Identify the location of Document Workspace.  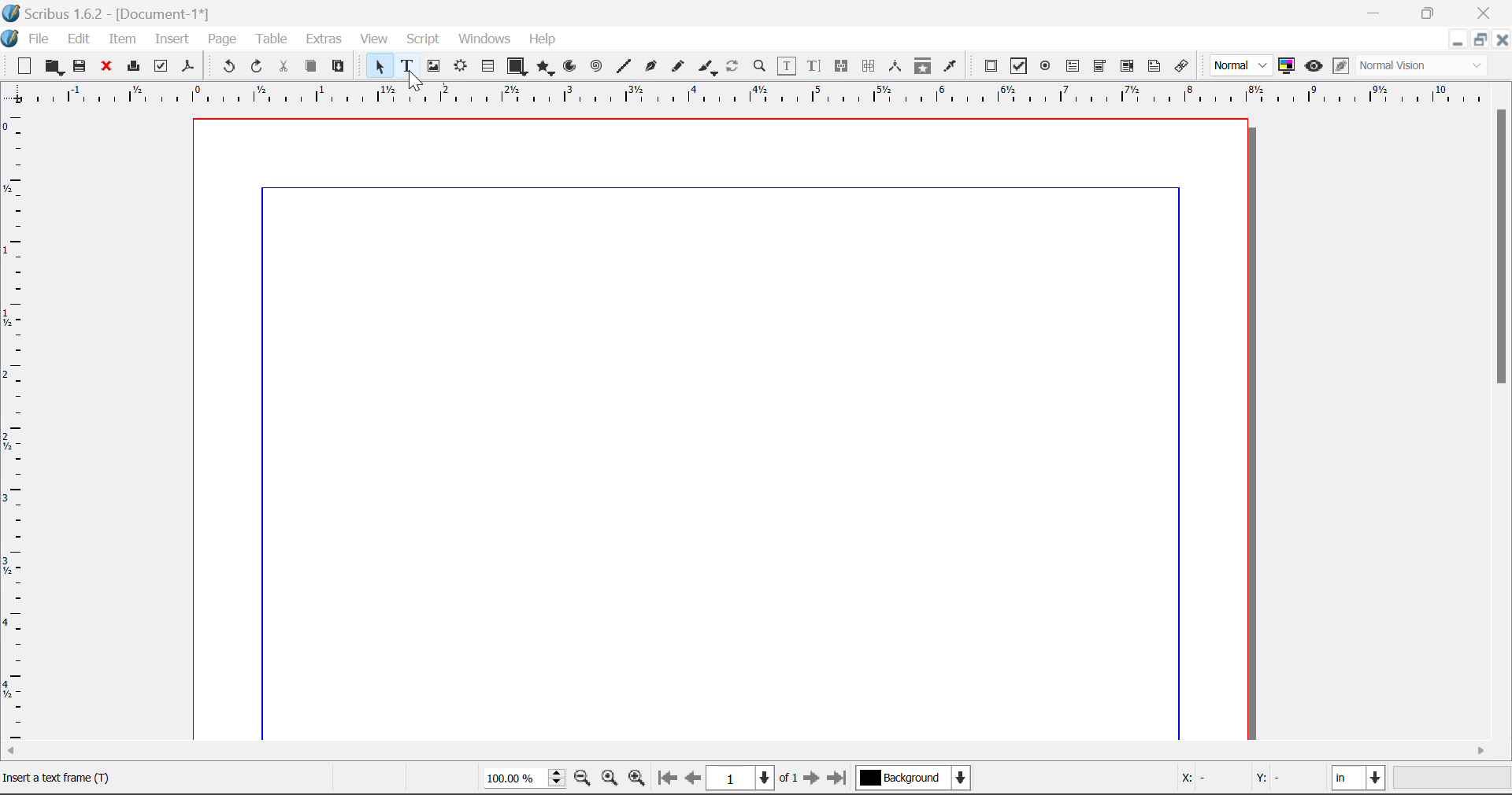
(728, 427).